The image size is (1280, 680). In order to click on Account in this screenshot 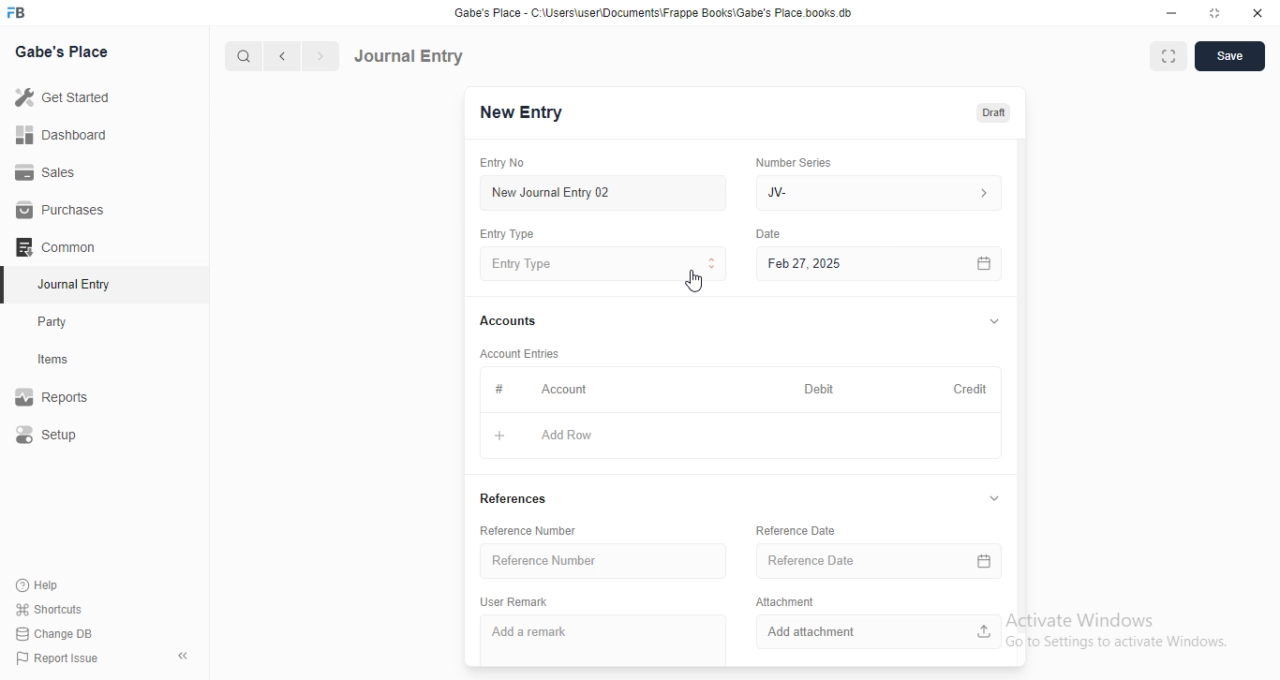, I will do `click(568, 388)`.